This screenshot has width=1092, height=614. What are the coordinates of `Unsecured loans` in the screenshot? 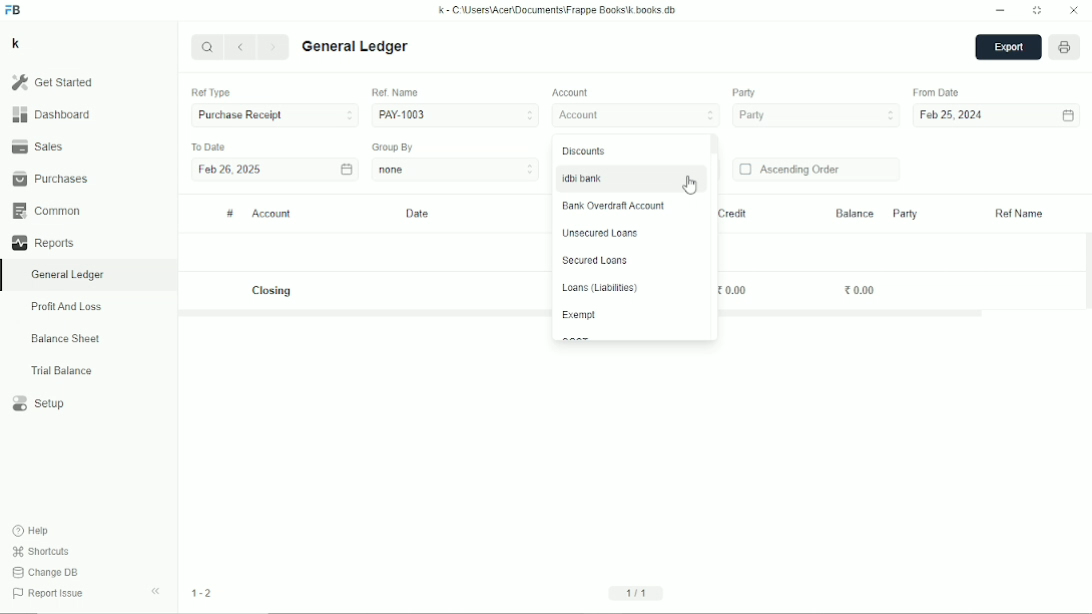 It's located at (599, 233).